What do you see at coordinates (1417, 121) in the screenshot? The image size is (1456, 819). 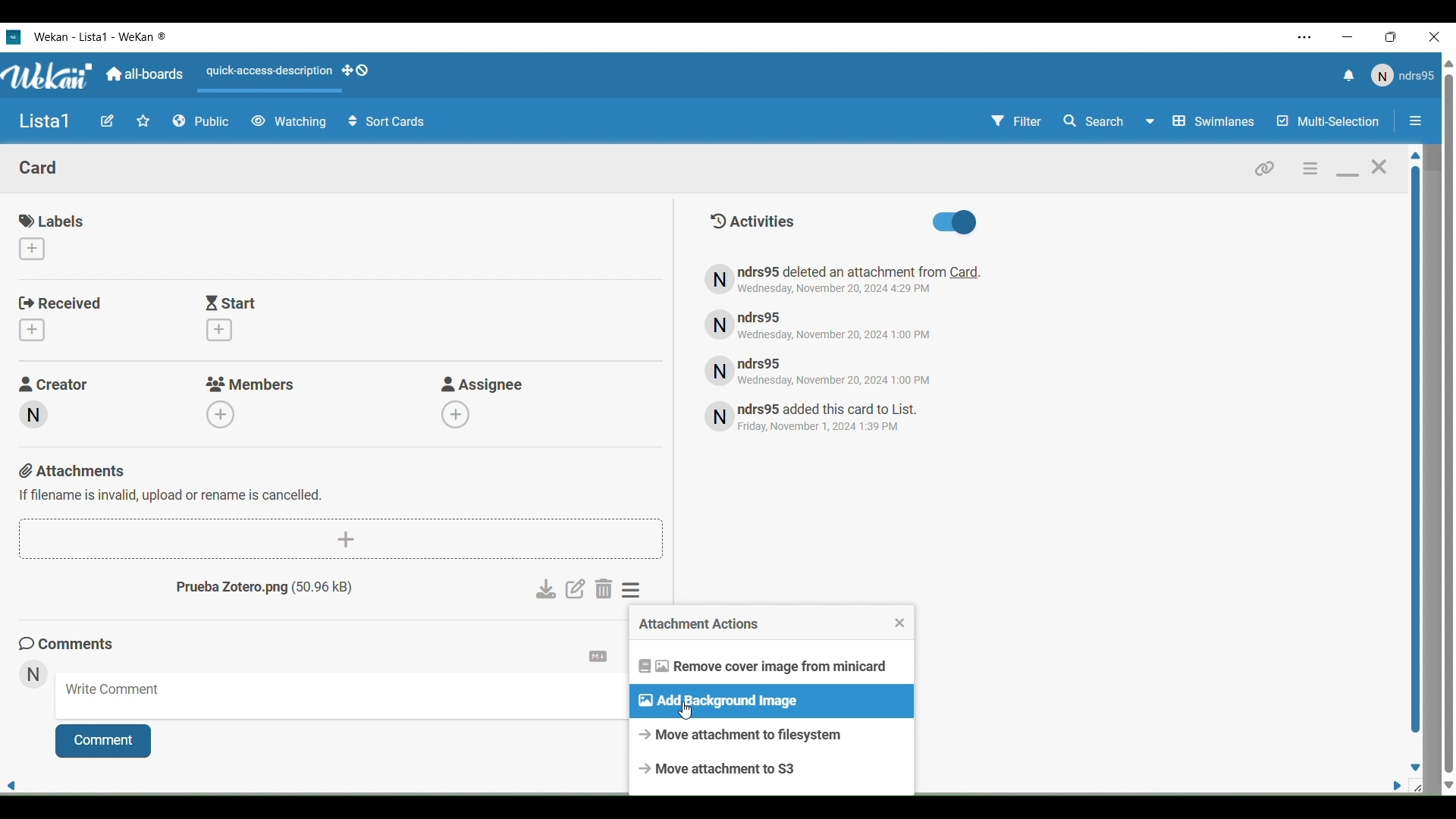 I see `Option` at bounding box center [1417, 121].